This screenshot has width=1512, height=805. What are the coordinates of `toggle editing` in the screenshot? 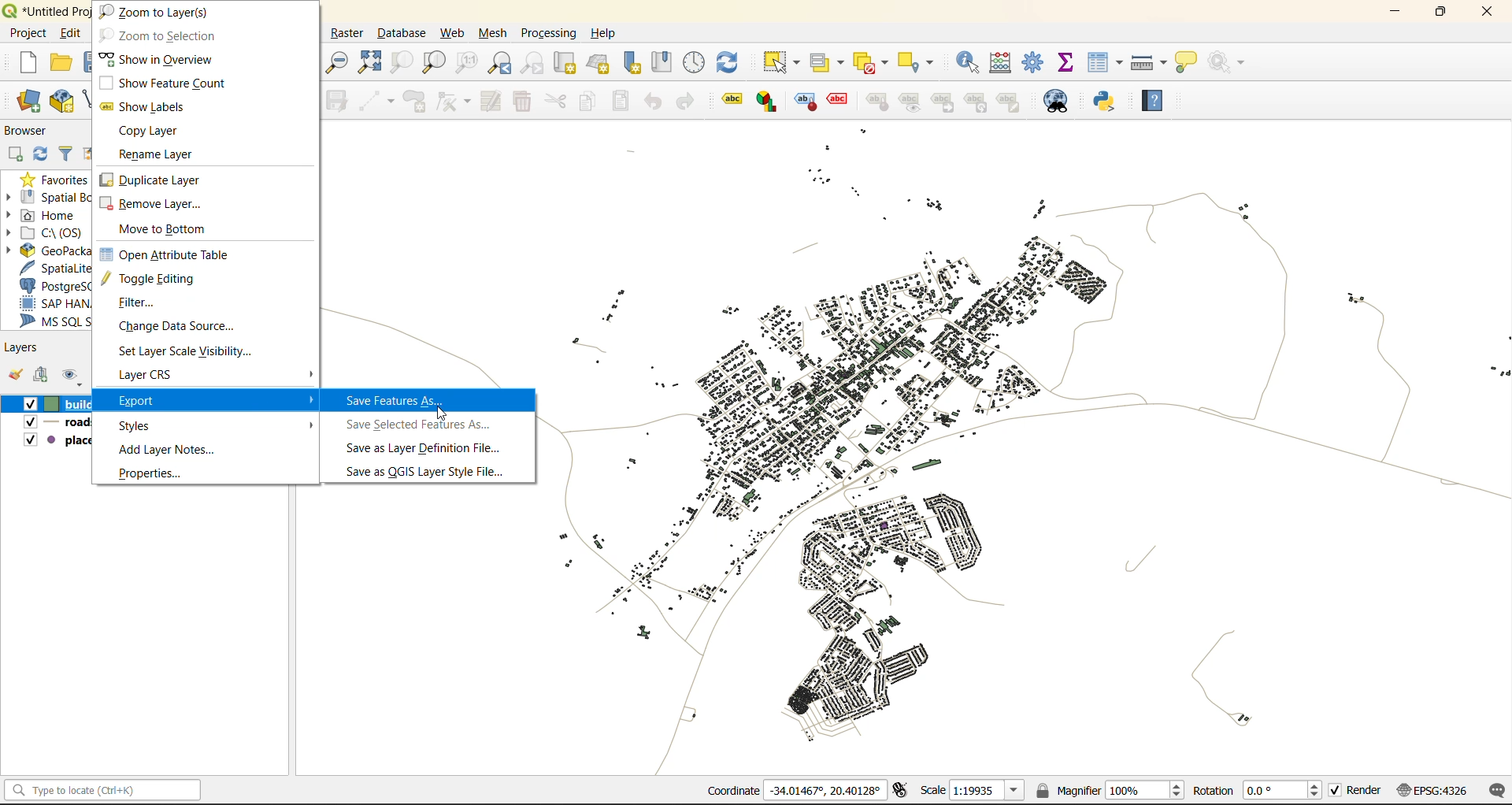 It's located at (152, 279).